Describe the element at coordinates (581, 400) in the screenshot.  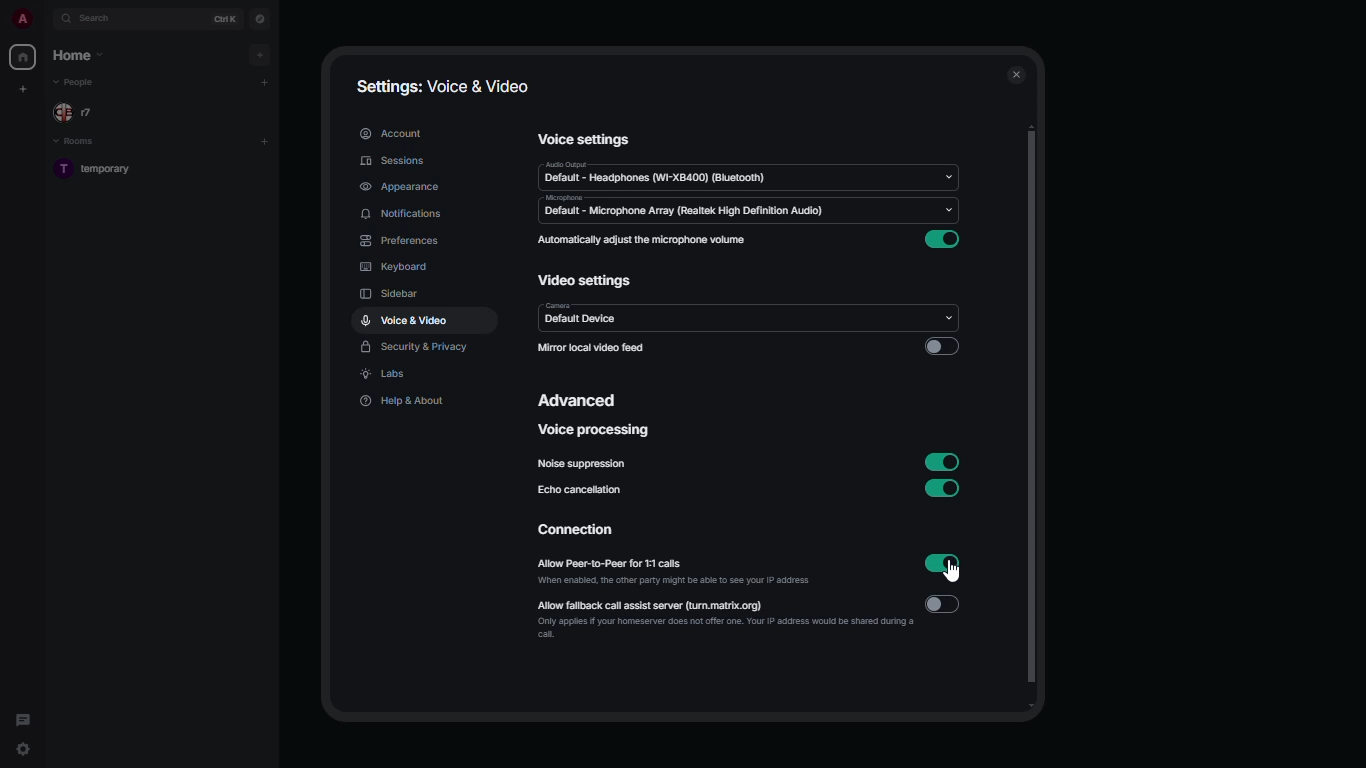
I see `advanced` at that location.